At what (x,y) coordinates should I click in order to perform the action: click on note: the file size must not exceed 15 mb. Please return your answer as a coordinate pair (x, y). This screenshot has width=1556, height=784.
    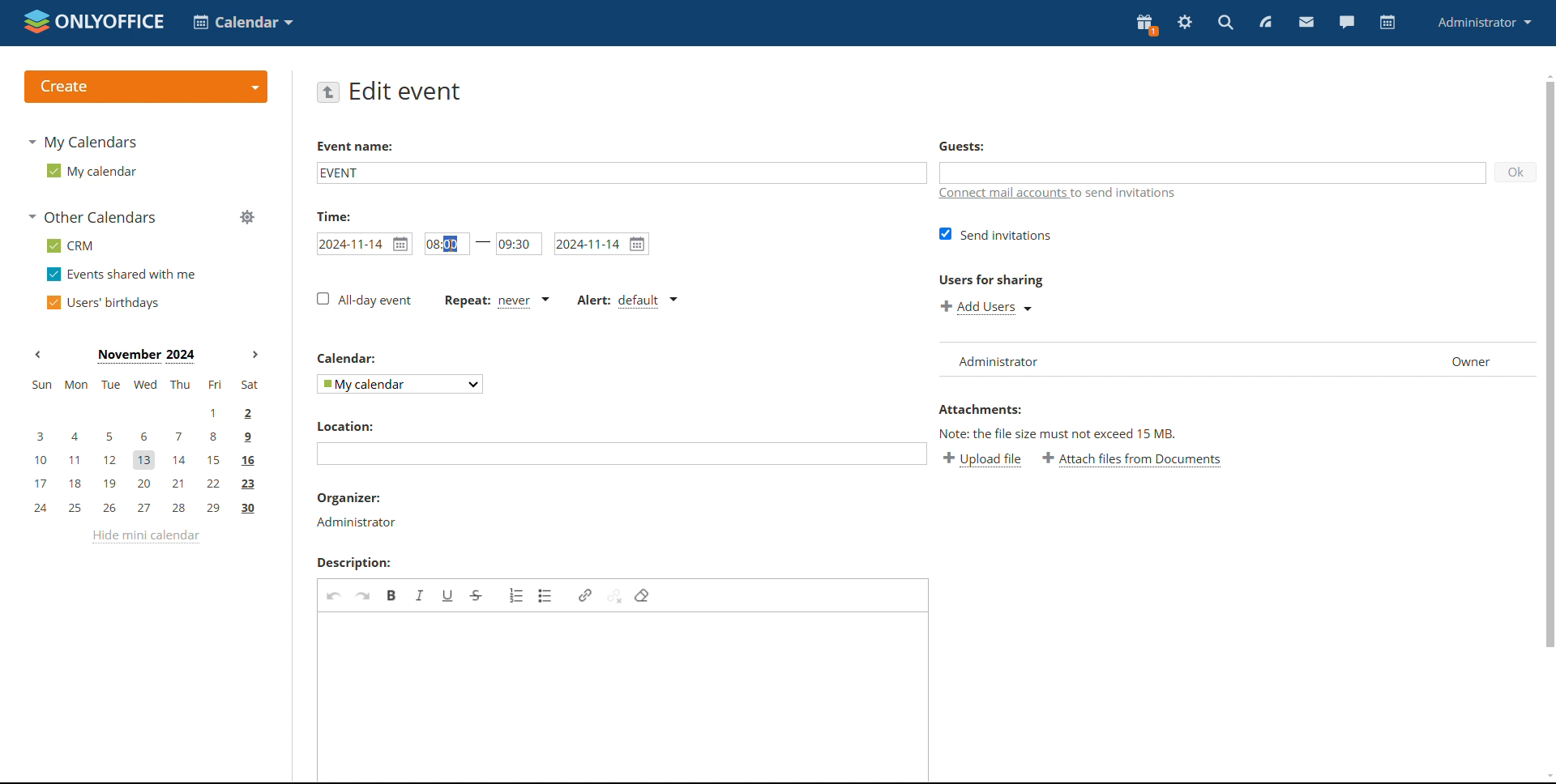
    Looking at the image, I should click on (1059, 432).